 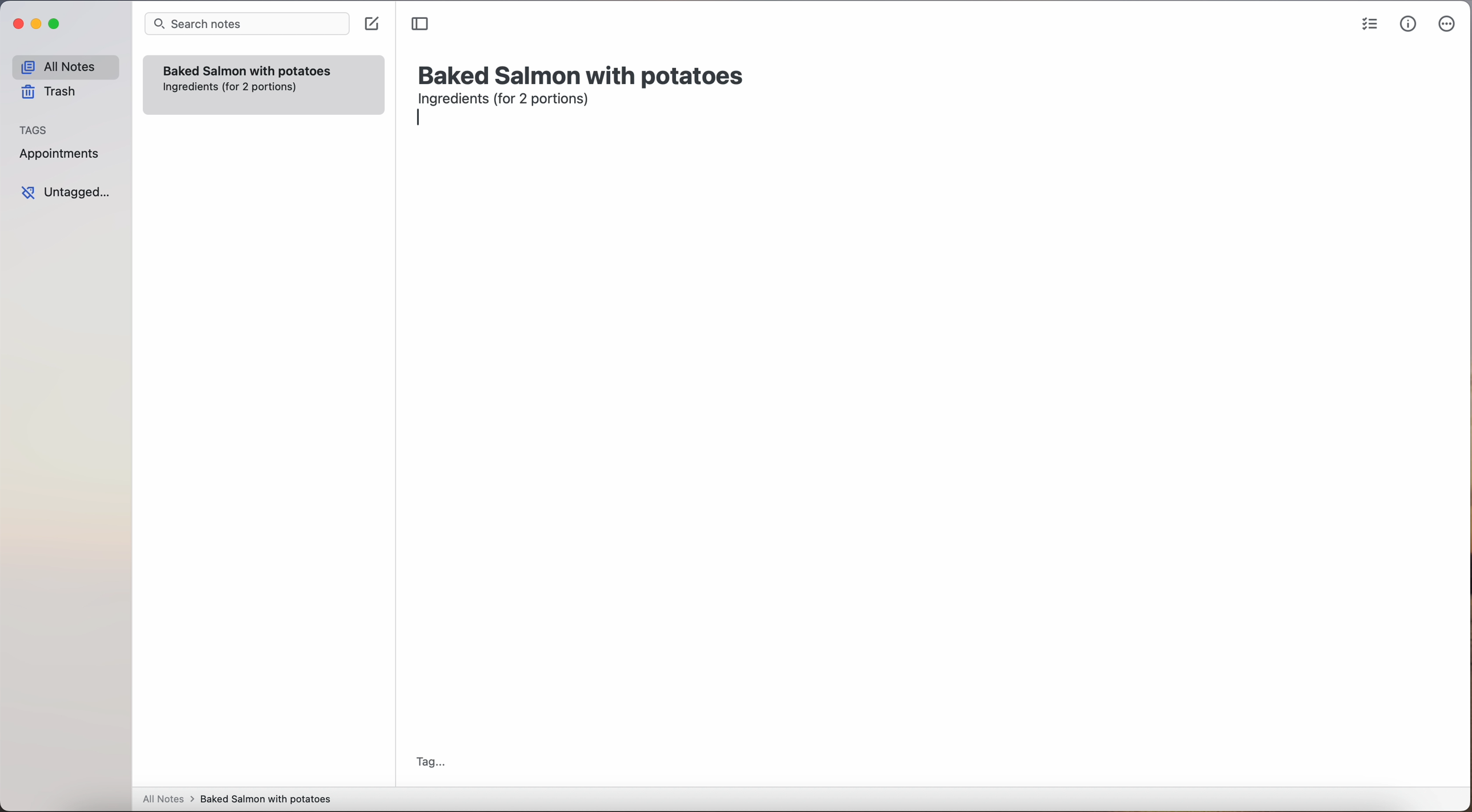 What do you see at coordinates (422, 121) in the screenshot?
I see `enter` at bounding box center [422, 121].